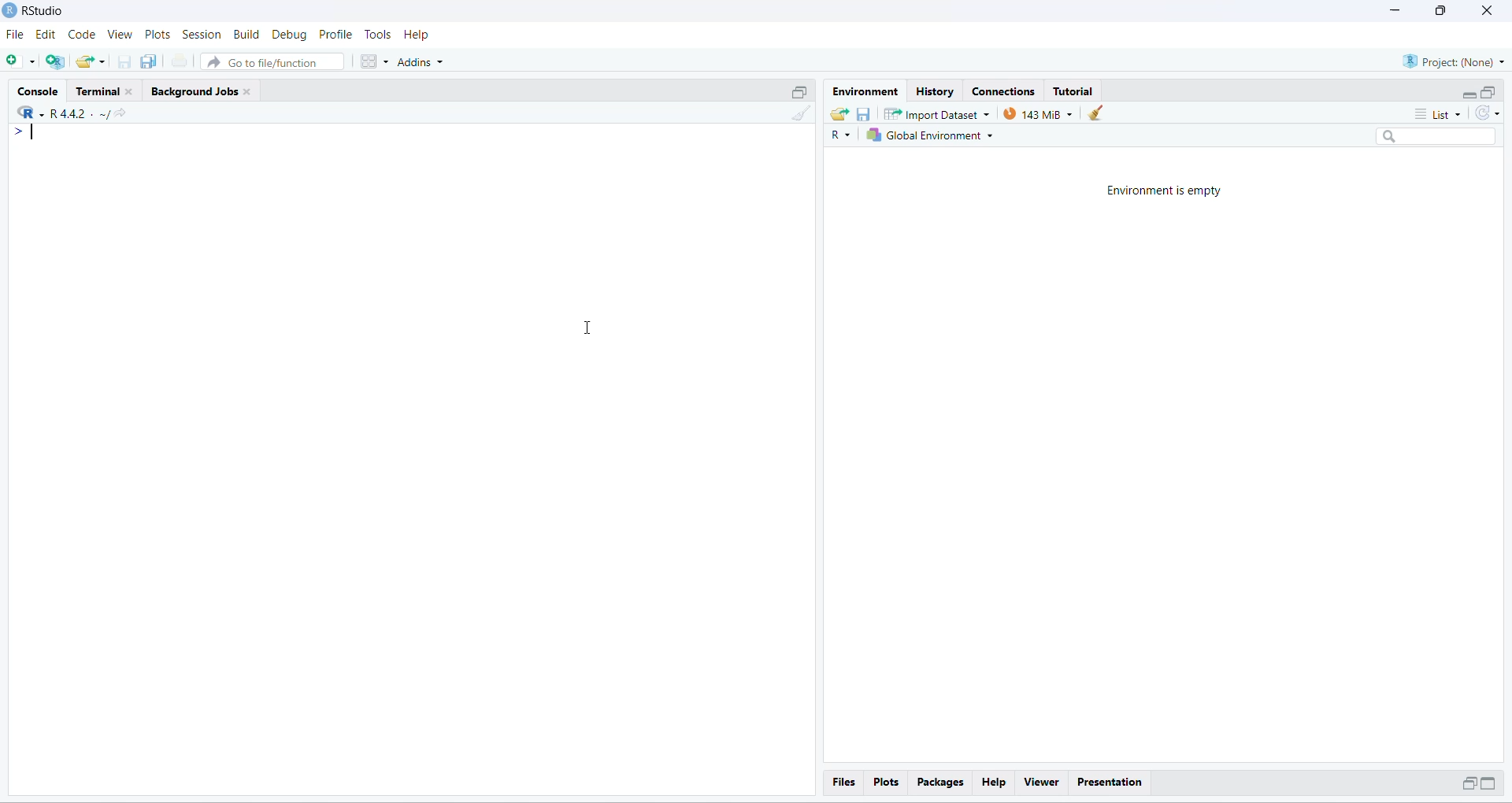 The width and height of the screenshot is (1512, 803). Describe the element at coordinates (1043, 783) in the screenshot. I see `viewer` at that location.